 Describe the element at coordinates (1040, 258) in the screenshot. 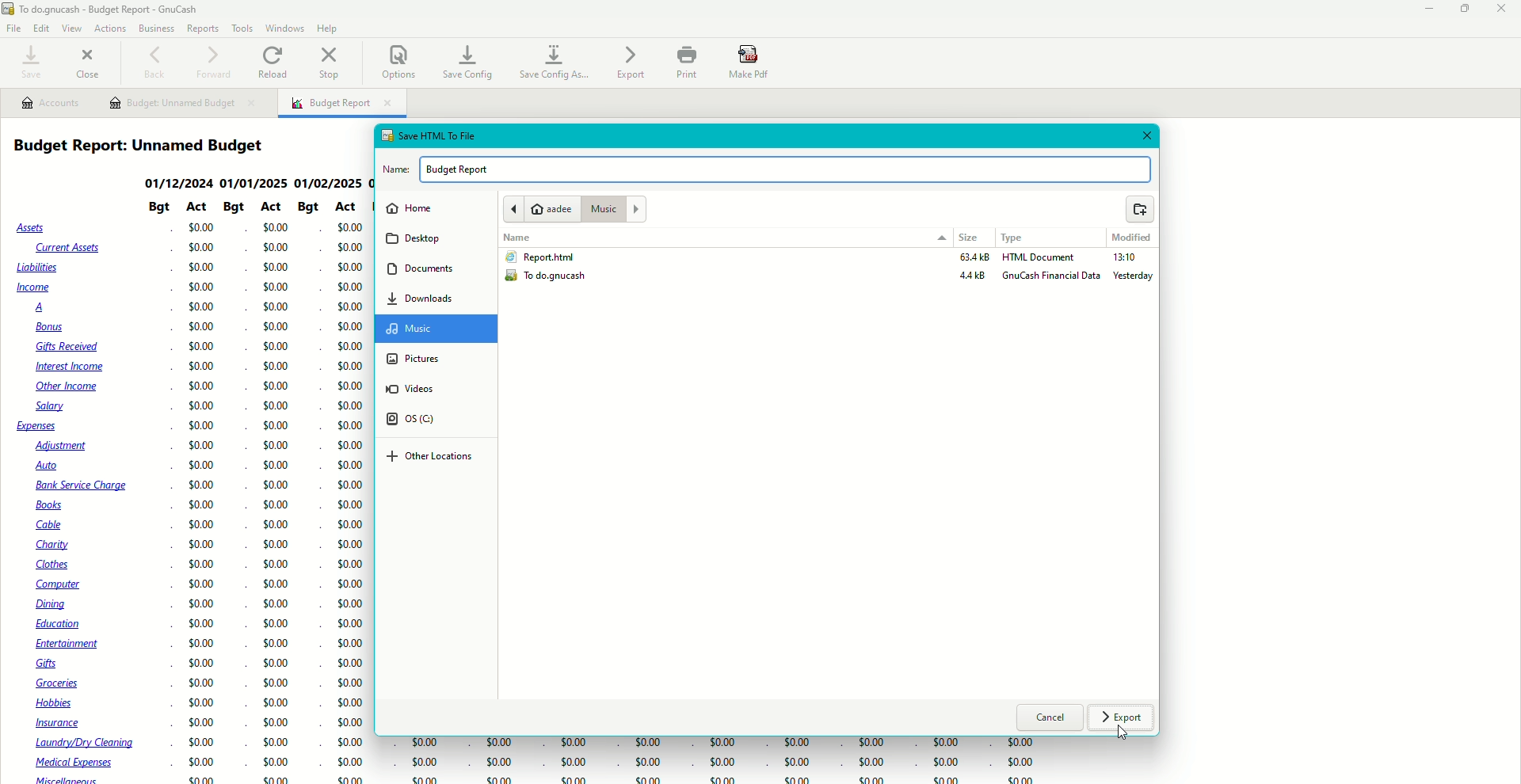

I see `HTML ` at that location.